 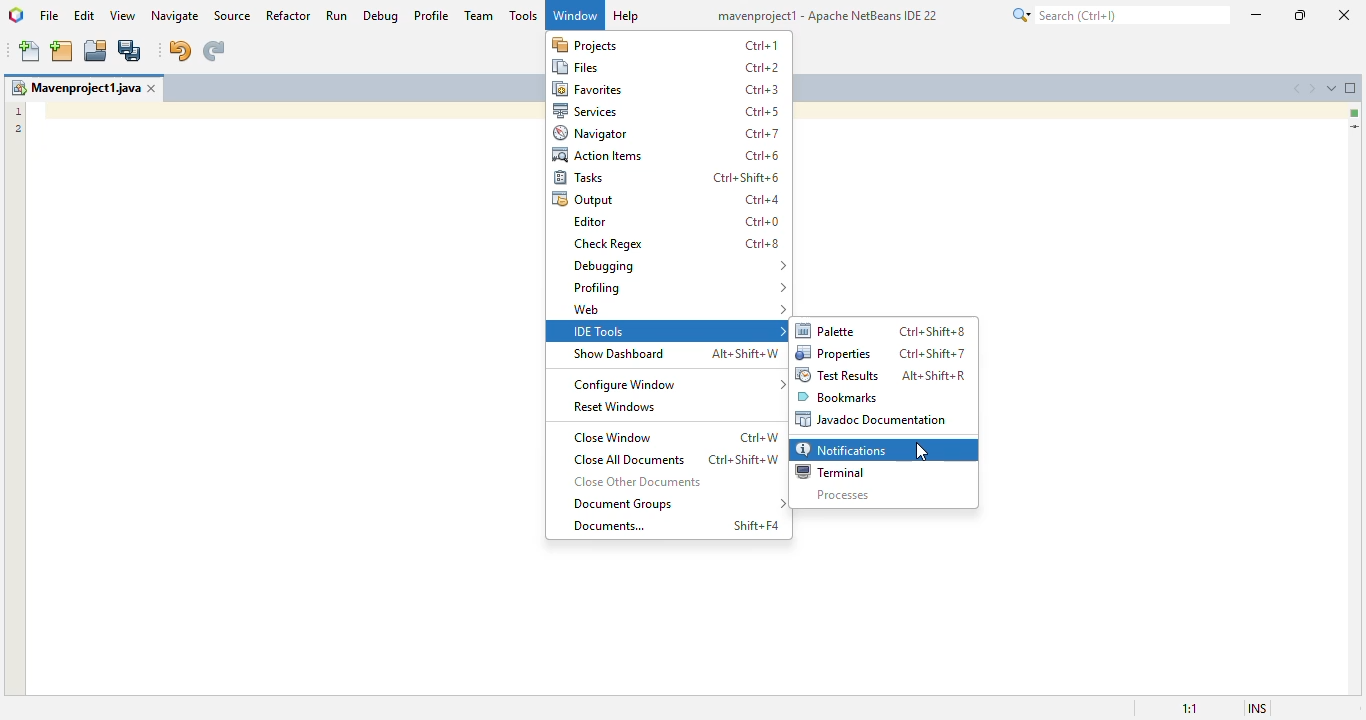 I want to click on cursor, so click(x=921, y=452).